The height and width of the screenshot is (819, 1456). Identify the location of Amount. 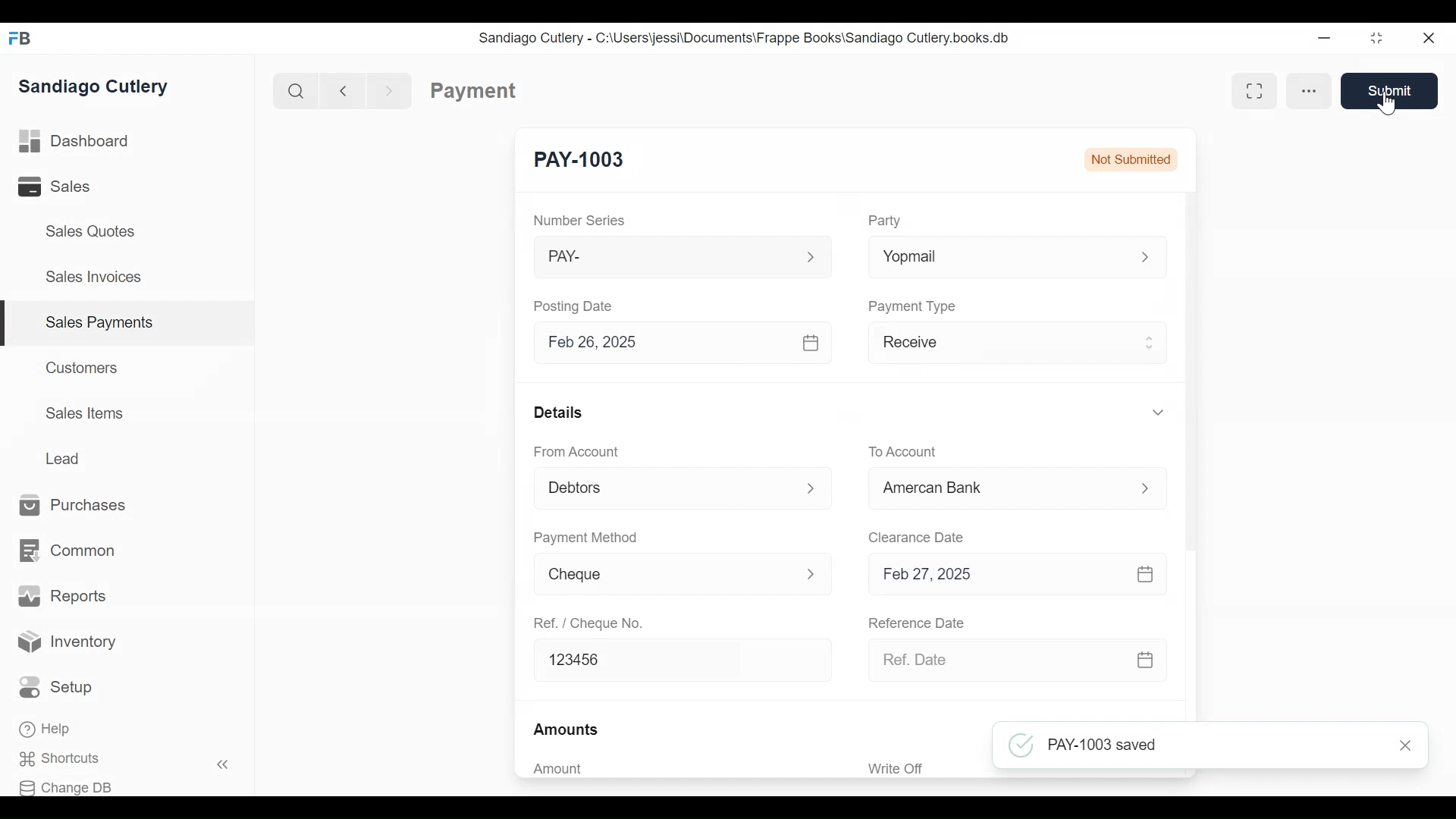
(559, 770).